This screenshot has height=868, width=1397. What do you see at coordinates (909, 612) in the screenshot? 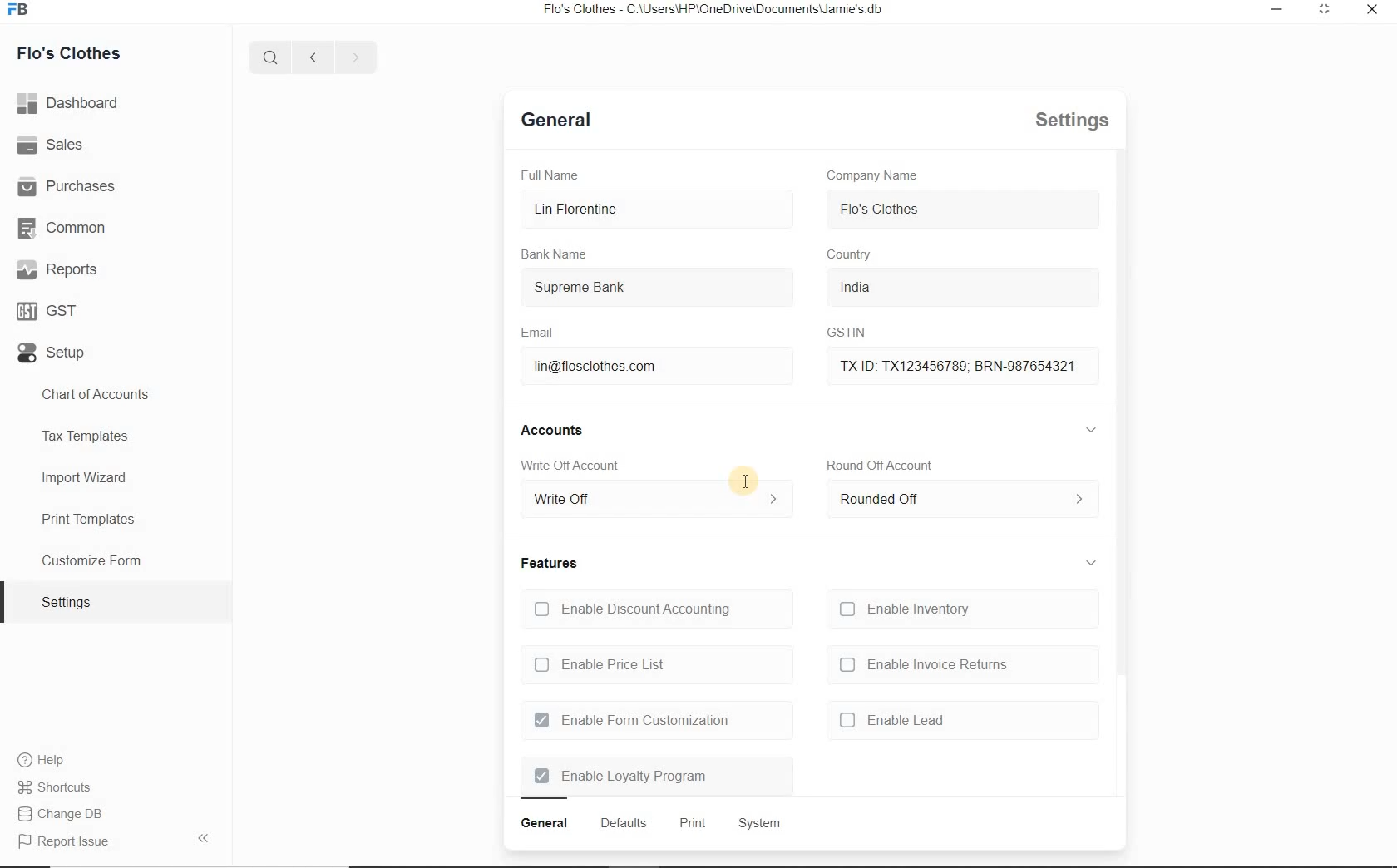
I see `Enable Inventory` at bounding box center [909, 612].